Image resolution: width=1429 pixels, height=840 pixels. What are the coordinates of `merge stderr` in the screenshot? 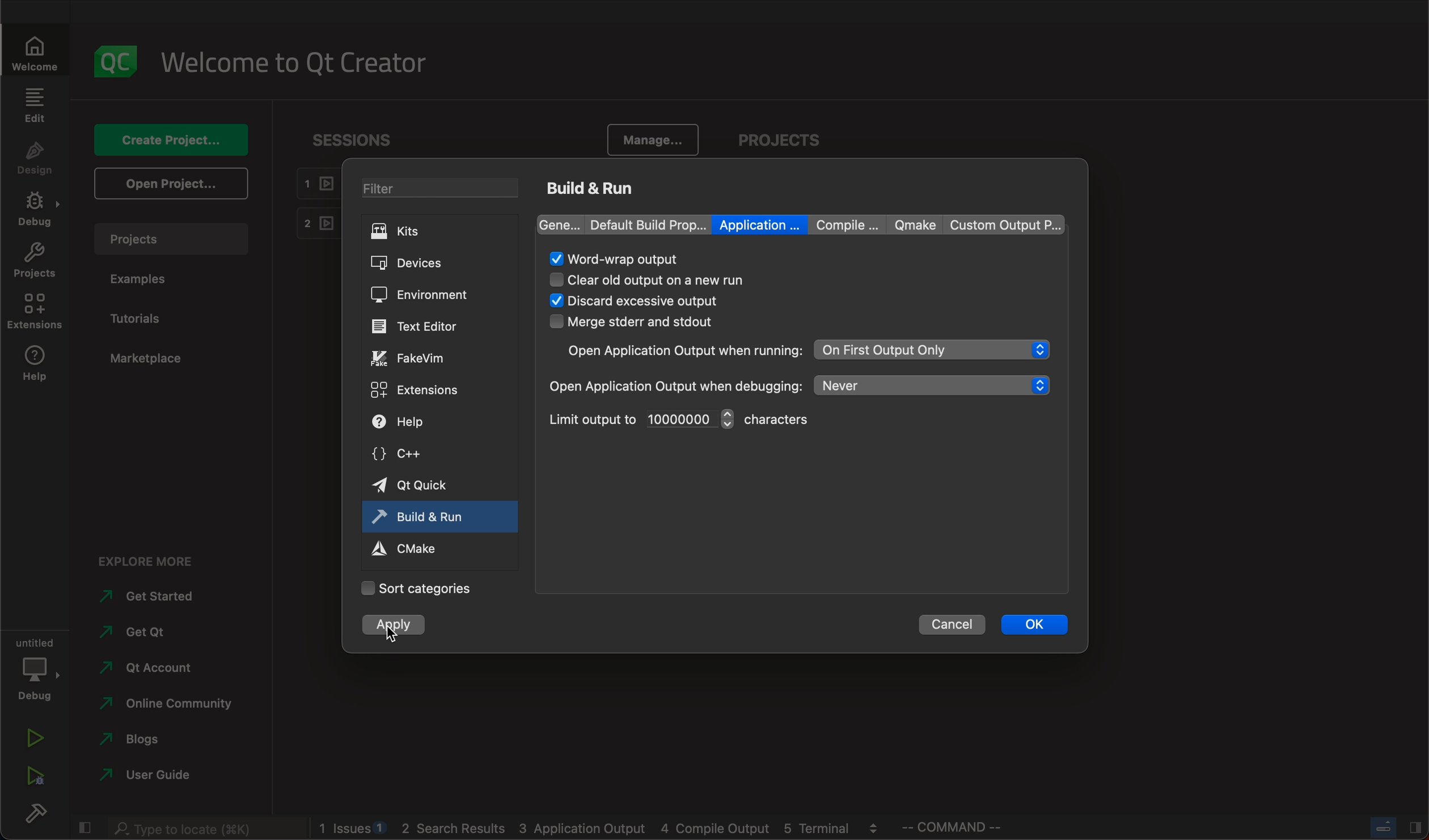 It's located at (644, 323).